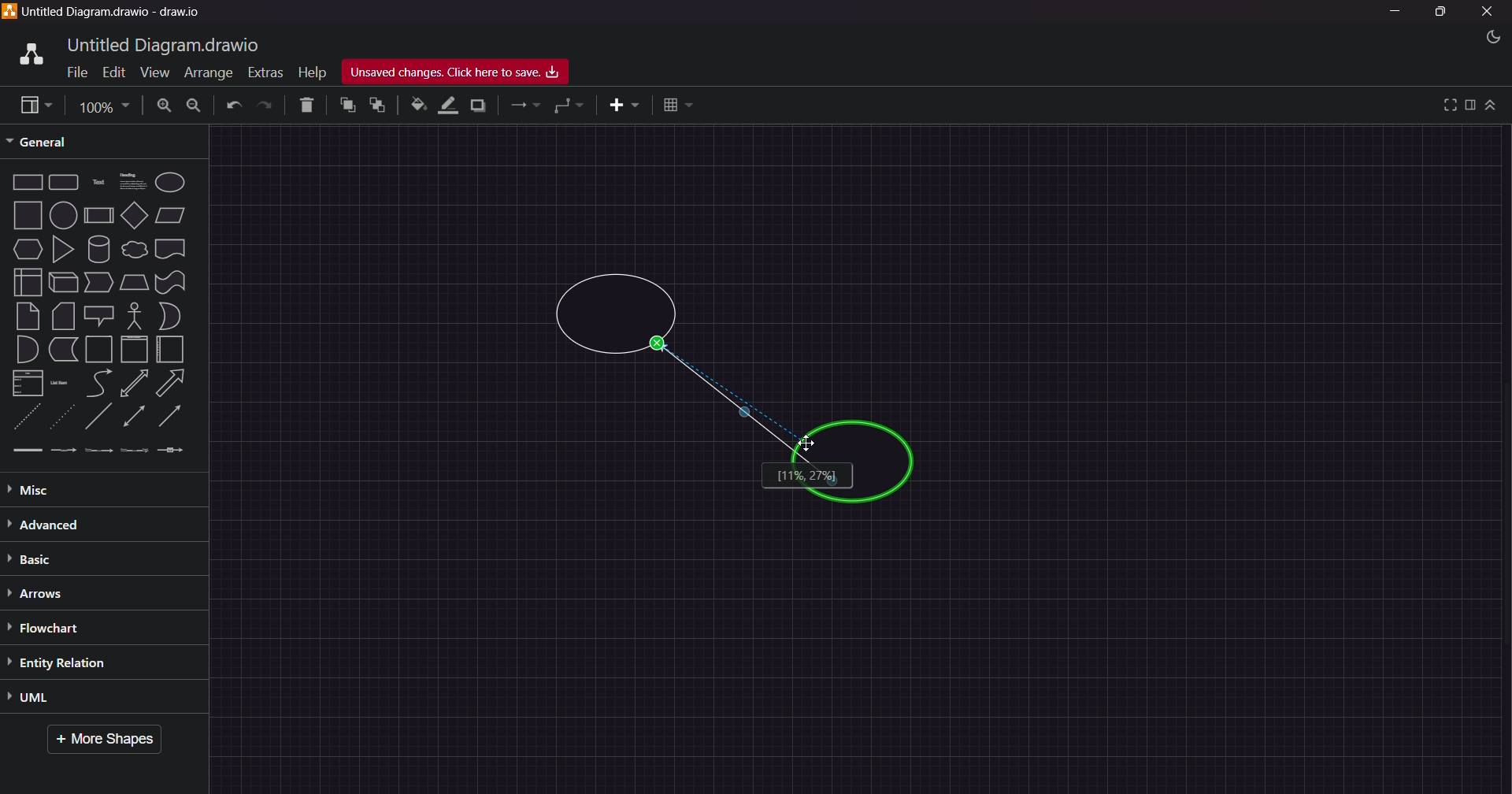 Image resolution: width=1512 pixels, height=794 pixels. What do you see at coordinates (806, 476) in the screenshot?
I see `Connector Length Percentage` at bounding box center [806, 476].